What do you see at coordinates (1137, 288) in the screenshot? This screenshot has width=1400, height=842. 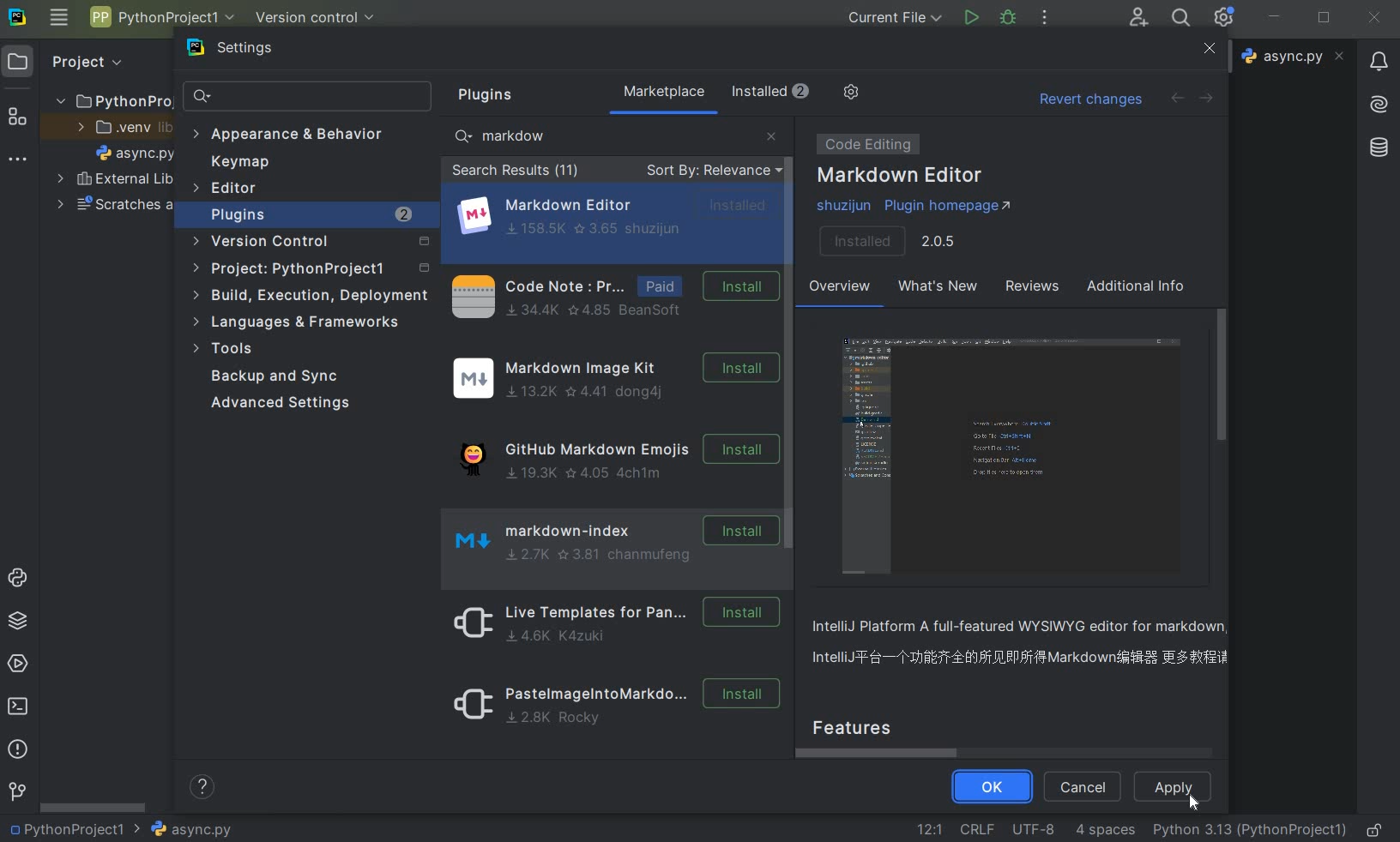 I see `additional info` at bounding box center [1137, 288].